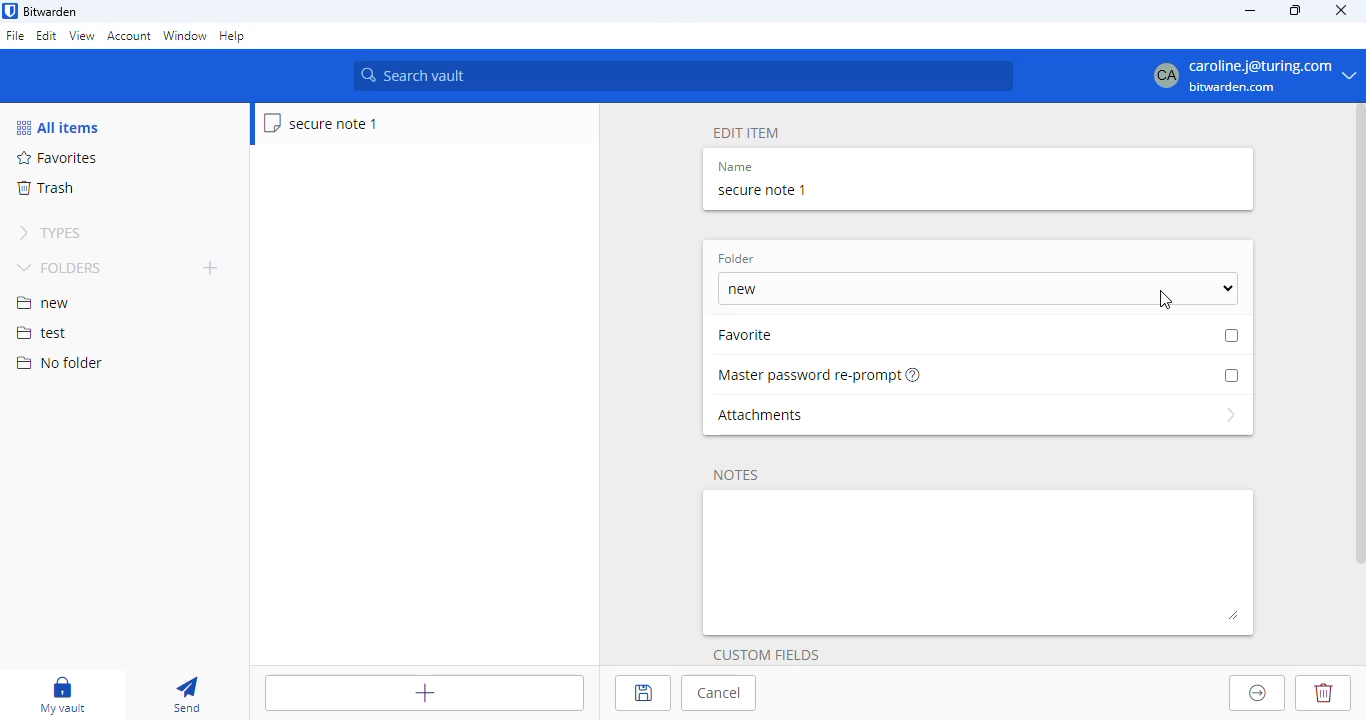  I want to click on cursor, so click(1165, 300).